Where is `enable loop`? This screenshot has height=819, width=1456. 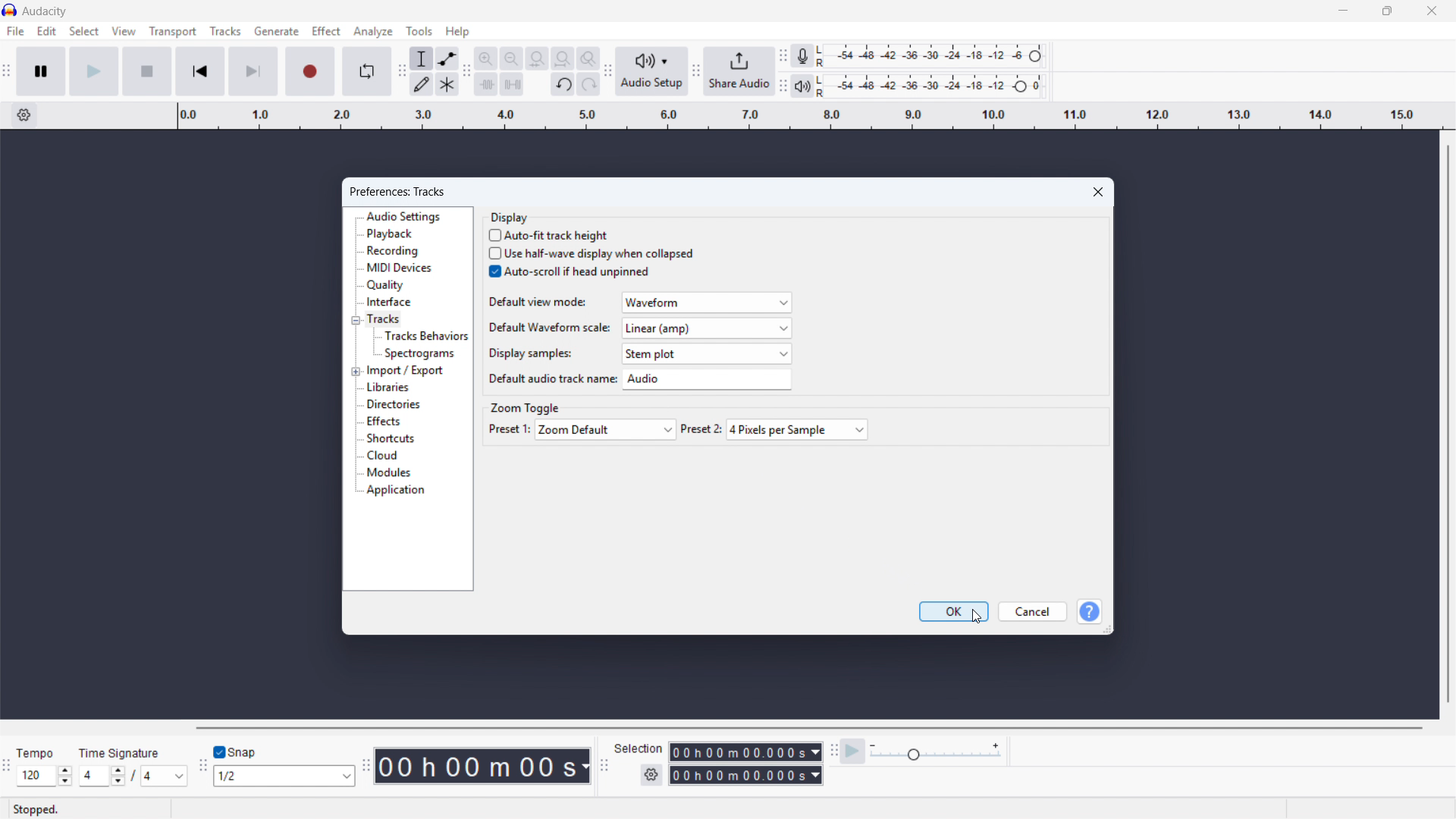 enable loop is located at coordinates (366, 72).